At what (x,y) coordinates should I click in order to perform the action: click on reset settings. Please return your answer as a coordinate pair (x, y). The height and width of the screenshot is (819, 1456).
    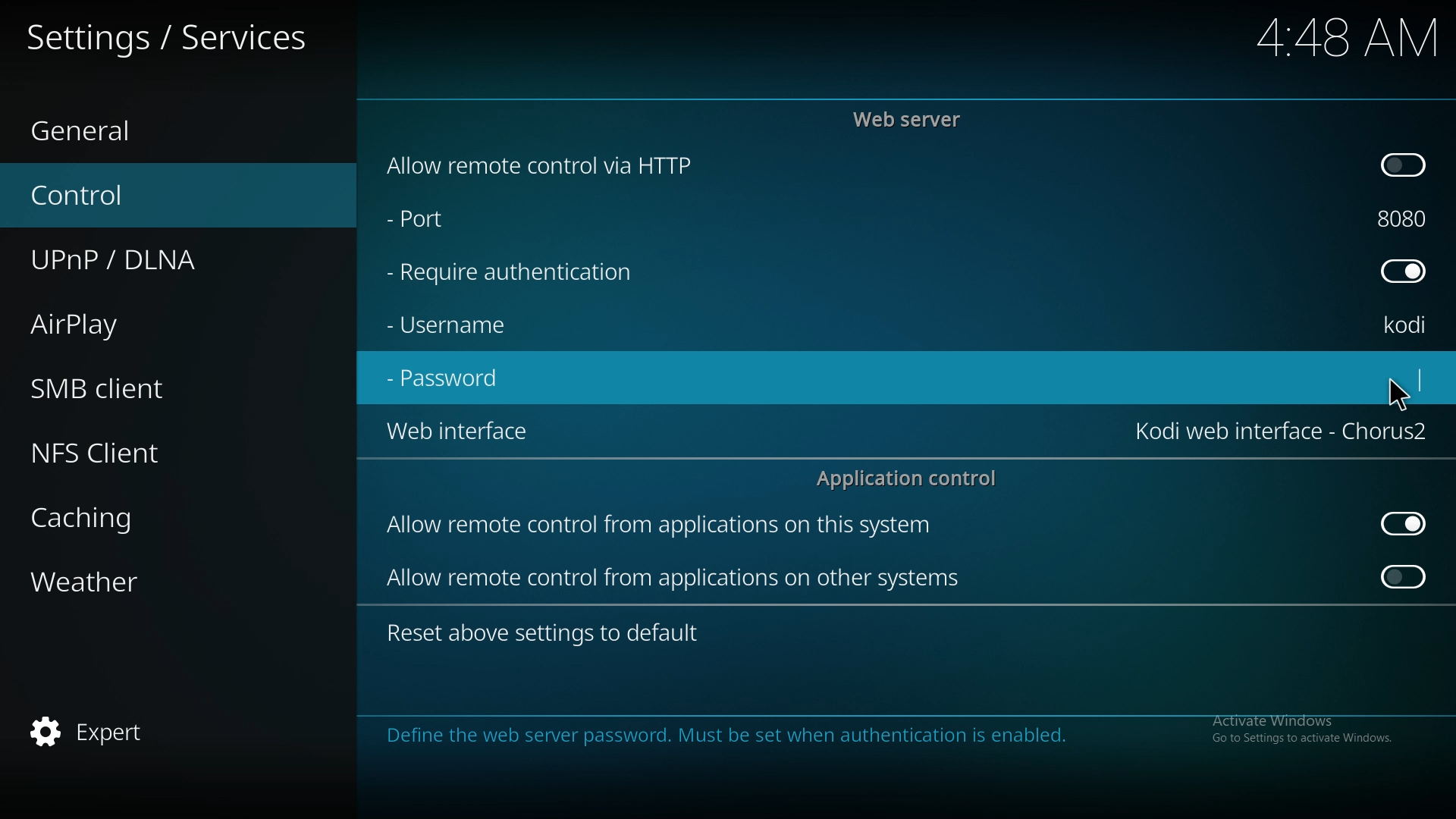
    Looking at the image, I should click on (548, 632).